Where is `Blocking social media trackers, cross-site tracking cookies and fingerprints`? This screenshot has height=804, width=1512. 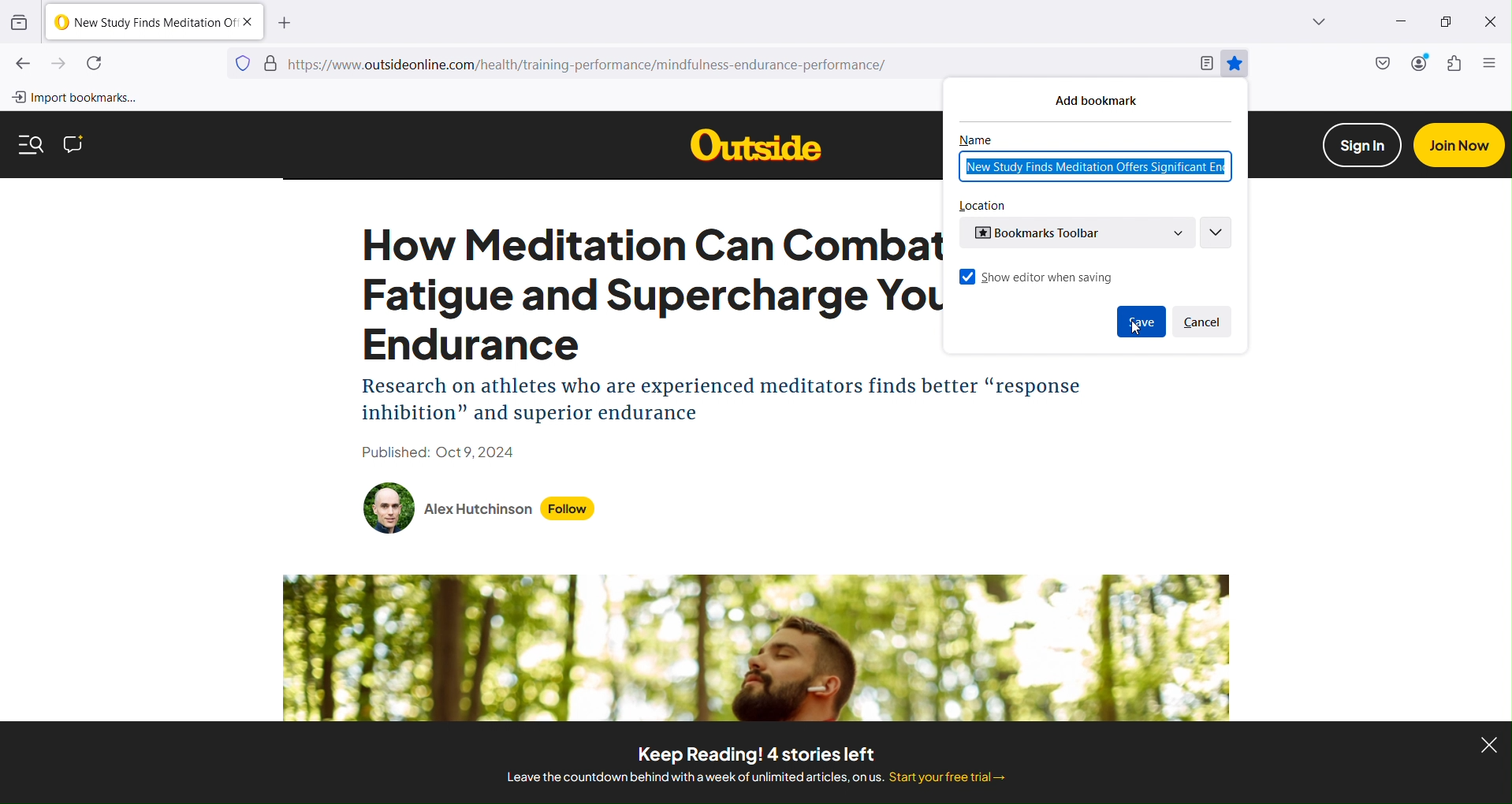
Blocking social media trackers, cross-site tracking cookies and fingerprints is located at coordinates (243, 62).